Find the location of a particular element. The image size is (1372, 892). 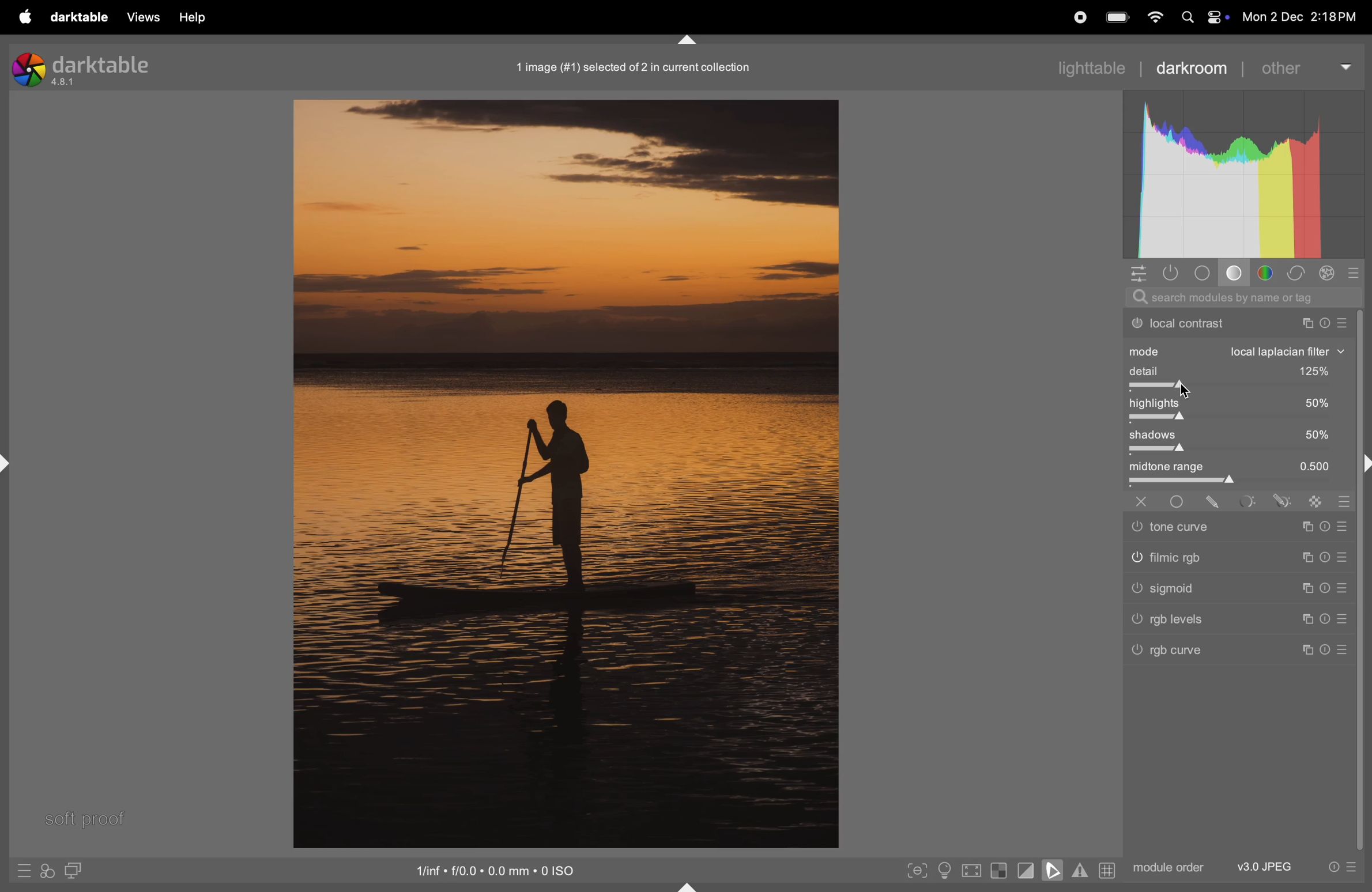

 is located at coordinates (1143, 500).